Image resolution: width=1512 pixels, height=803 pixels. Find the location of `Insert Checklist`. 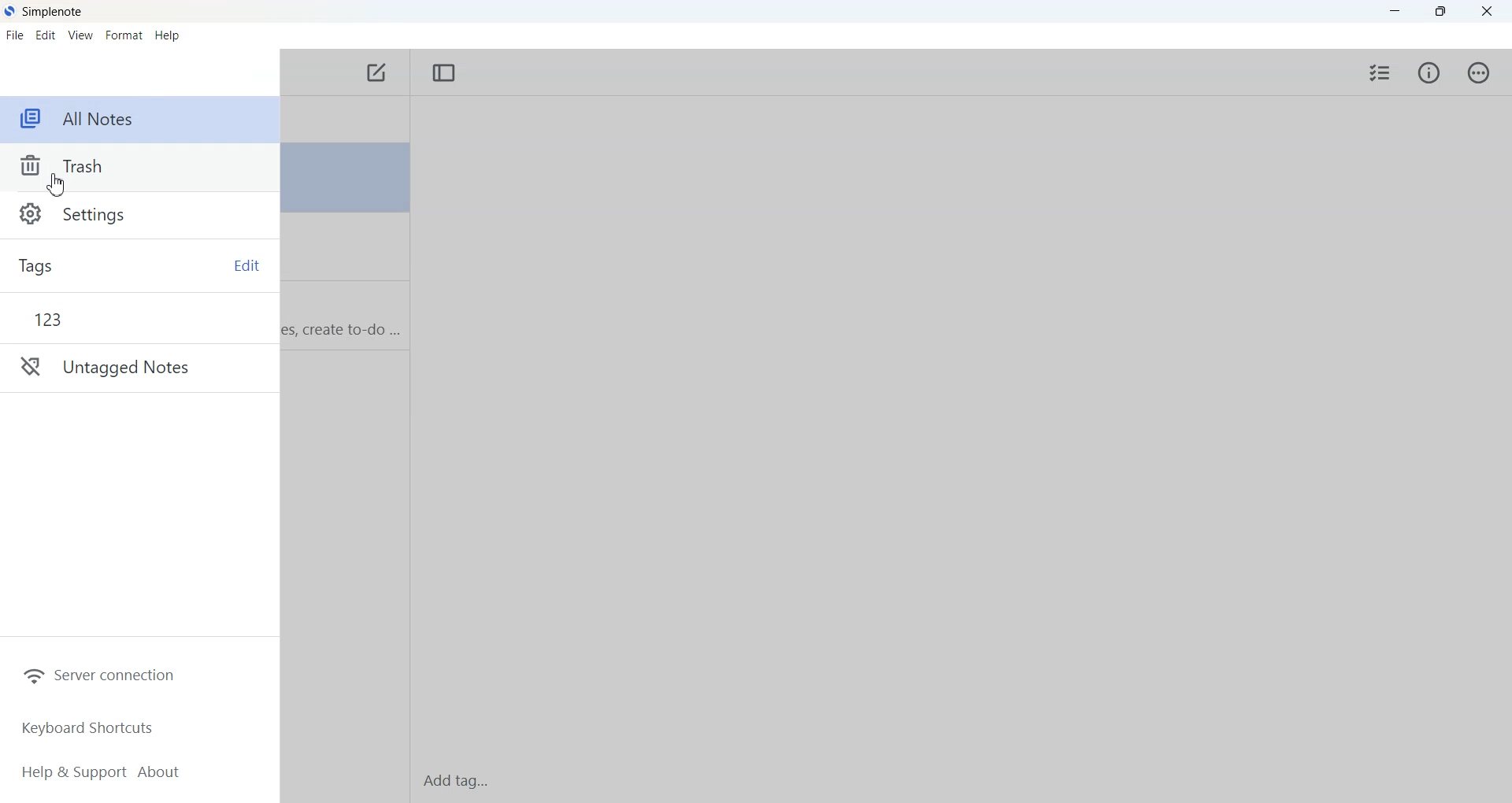

Insert Checklist is located at coordinates (1381, 72).